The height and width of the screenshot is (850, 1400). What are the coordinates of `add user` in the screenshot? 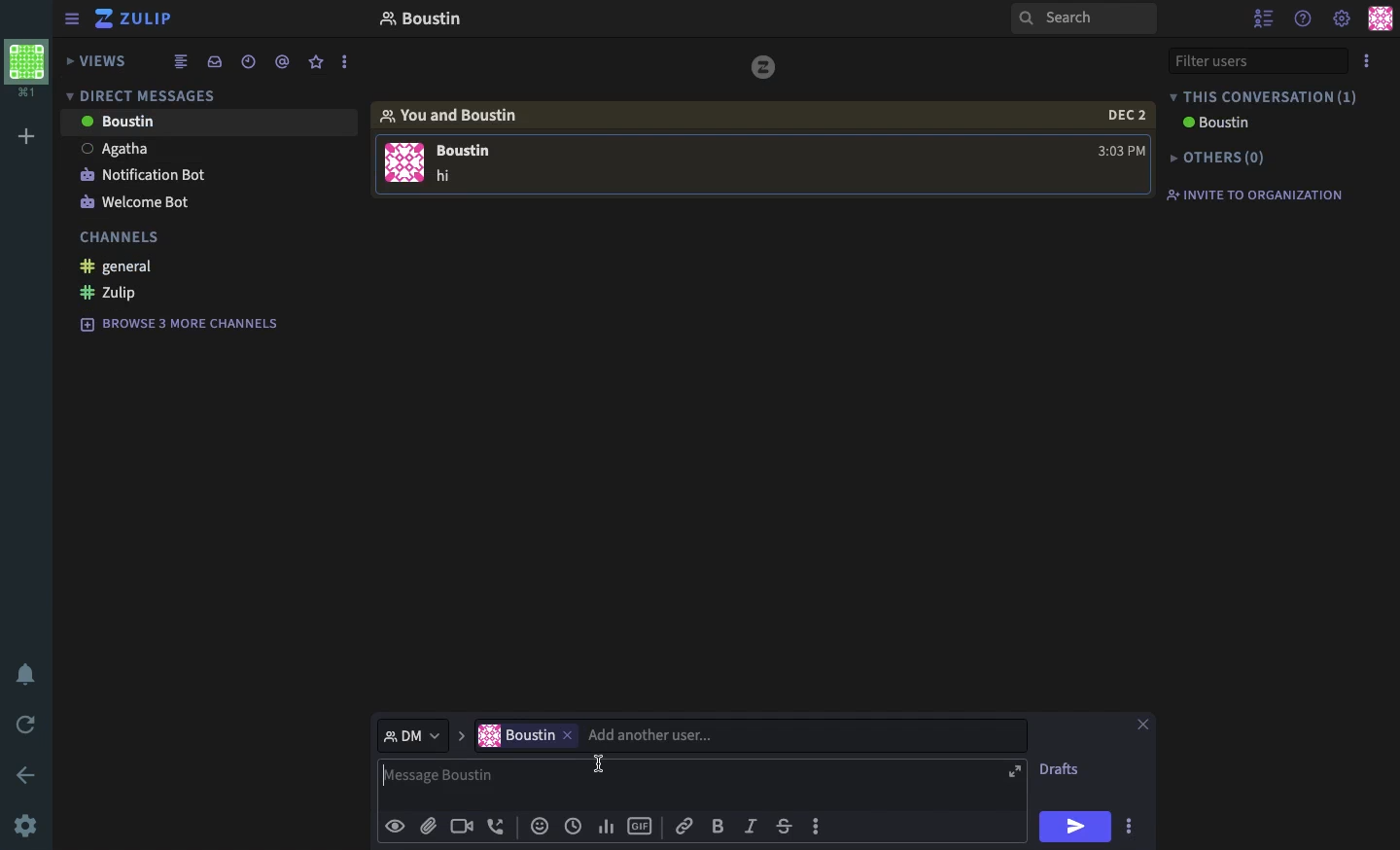 It's located at (793, 737).